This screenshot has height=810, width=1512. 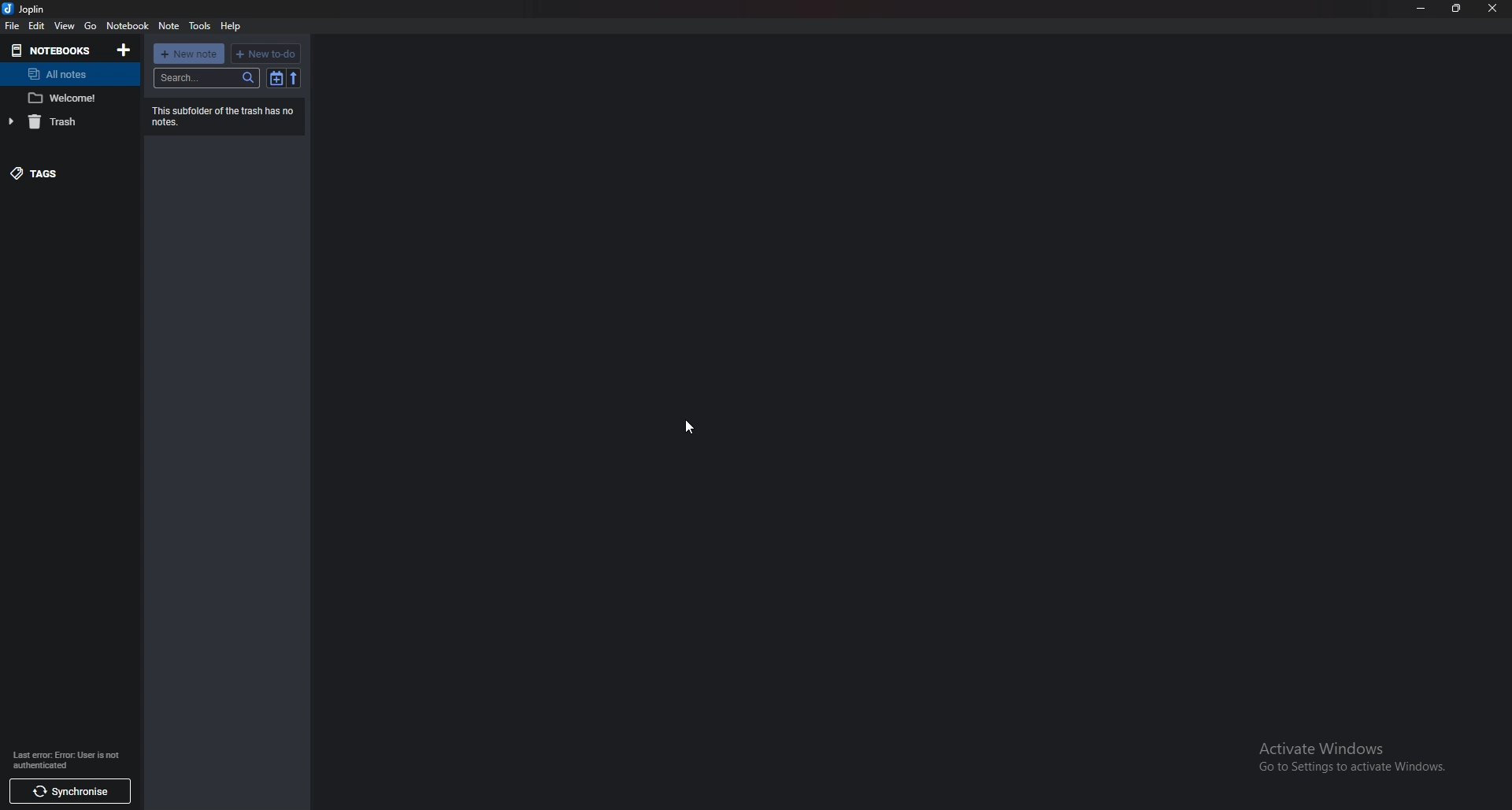 I want to click on help, so click(x=229, y=26).